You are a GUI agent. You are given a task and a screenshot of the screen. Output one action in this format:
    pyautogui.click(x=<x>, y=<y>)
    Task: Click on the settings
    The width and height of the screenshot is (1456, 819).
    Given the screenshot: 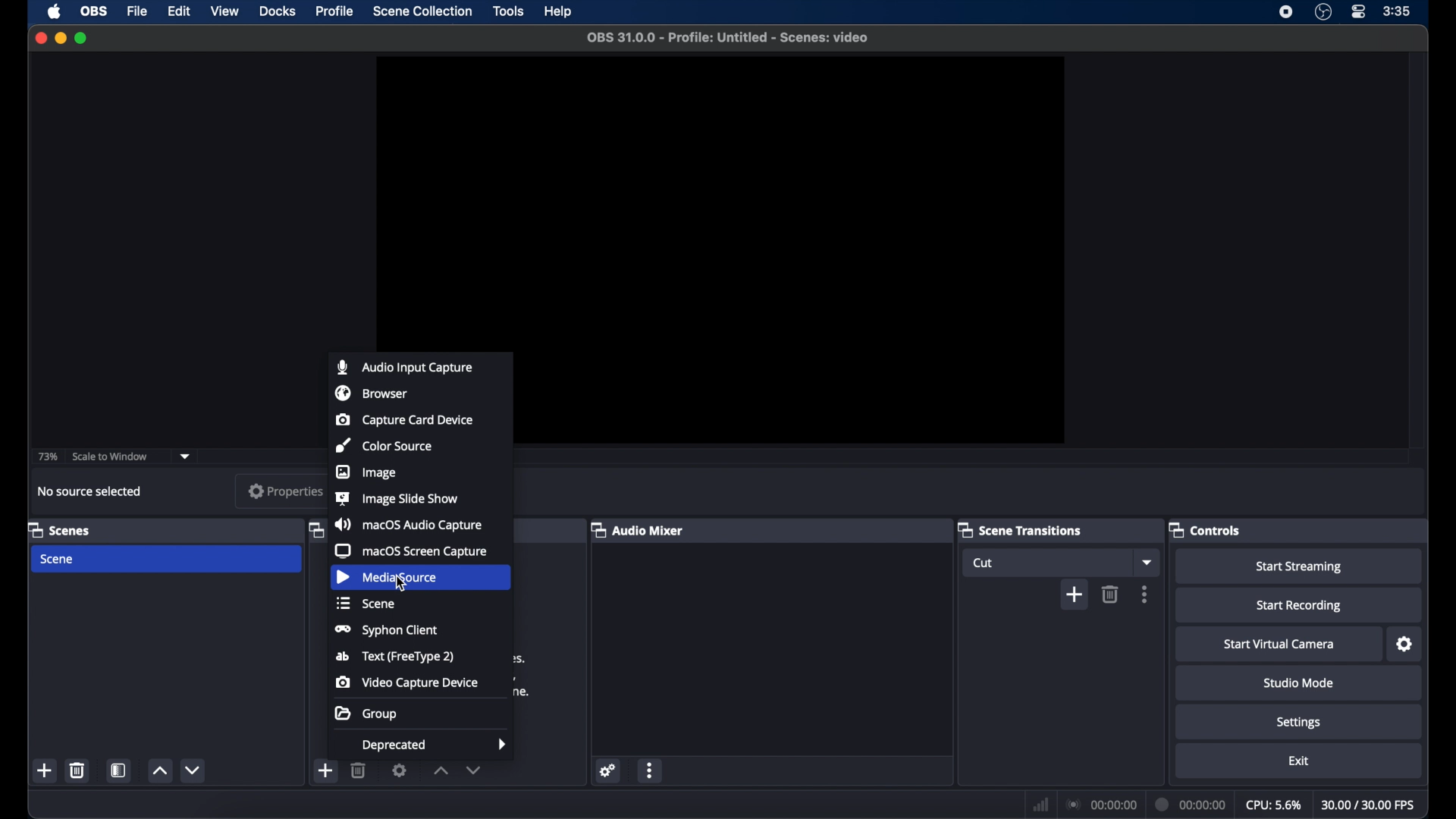 What is the action you would take?
    pyautogui.click(x=1298, y=723)
    